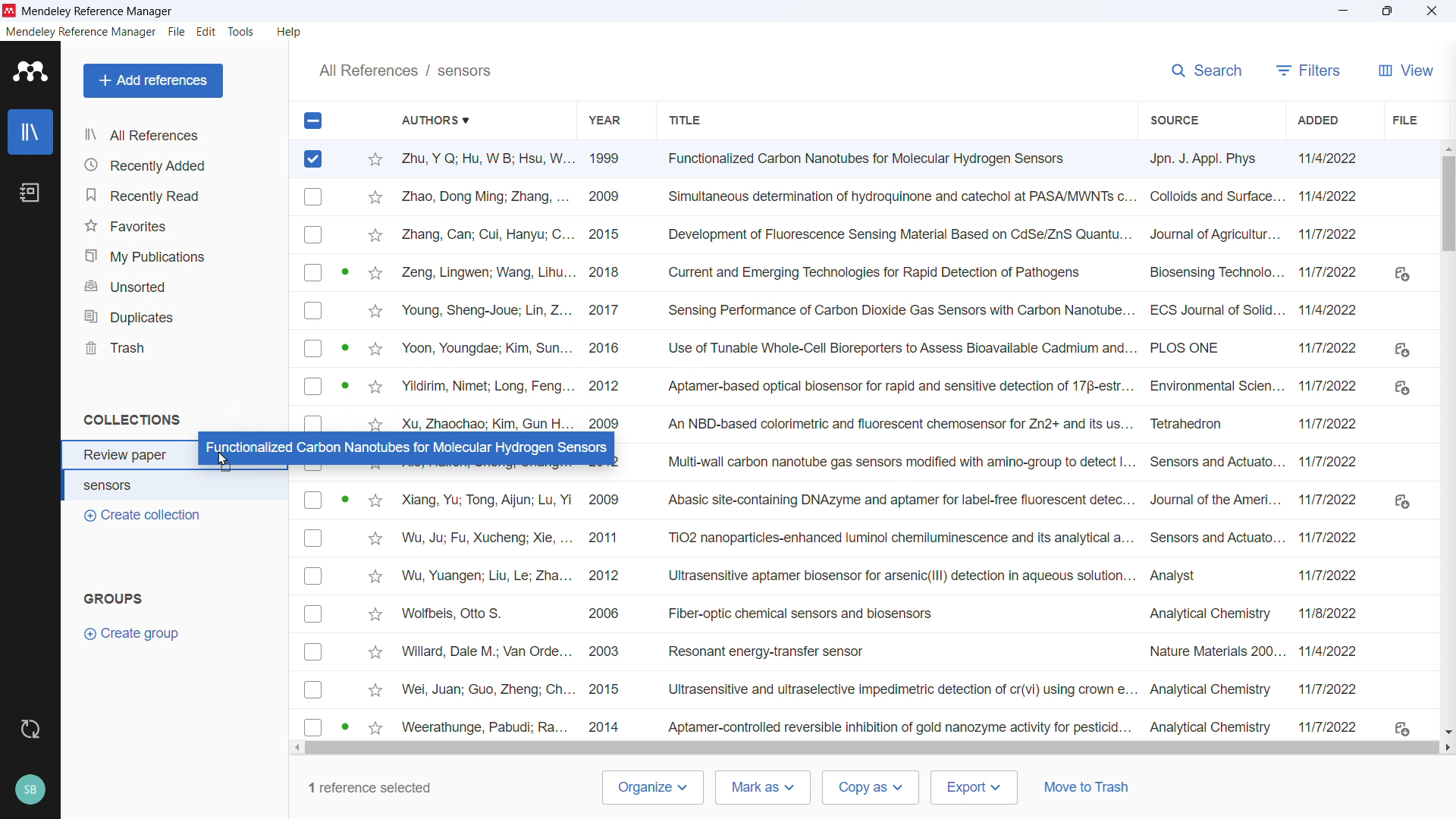 The image size is (1456, 819). What do you see at coordinates (344, 270) in the screenshot?
I see `PDF available` at bounding box center [344, 270].